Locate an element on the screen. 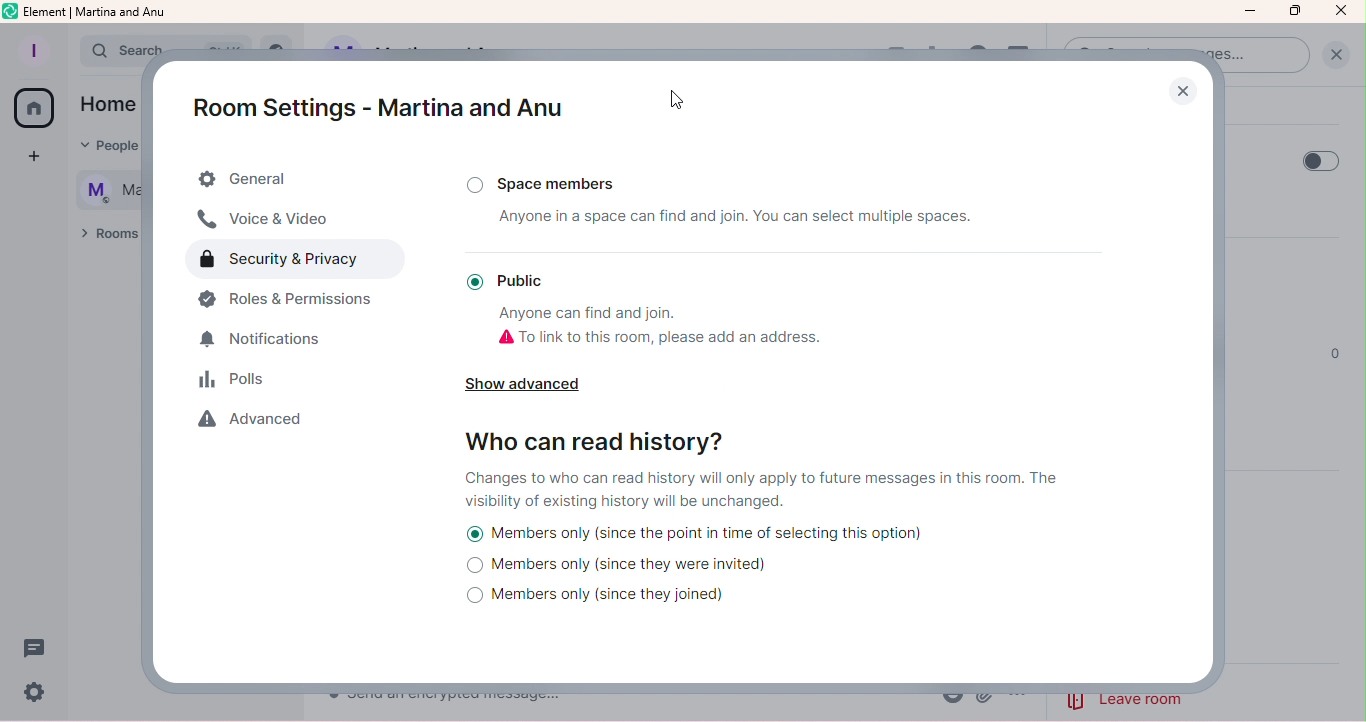  Members only (since the point in time of selecting this option) is located at coordinates (706, 529).